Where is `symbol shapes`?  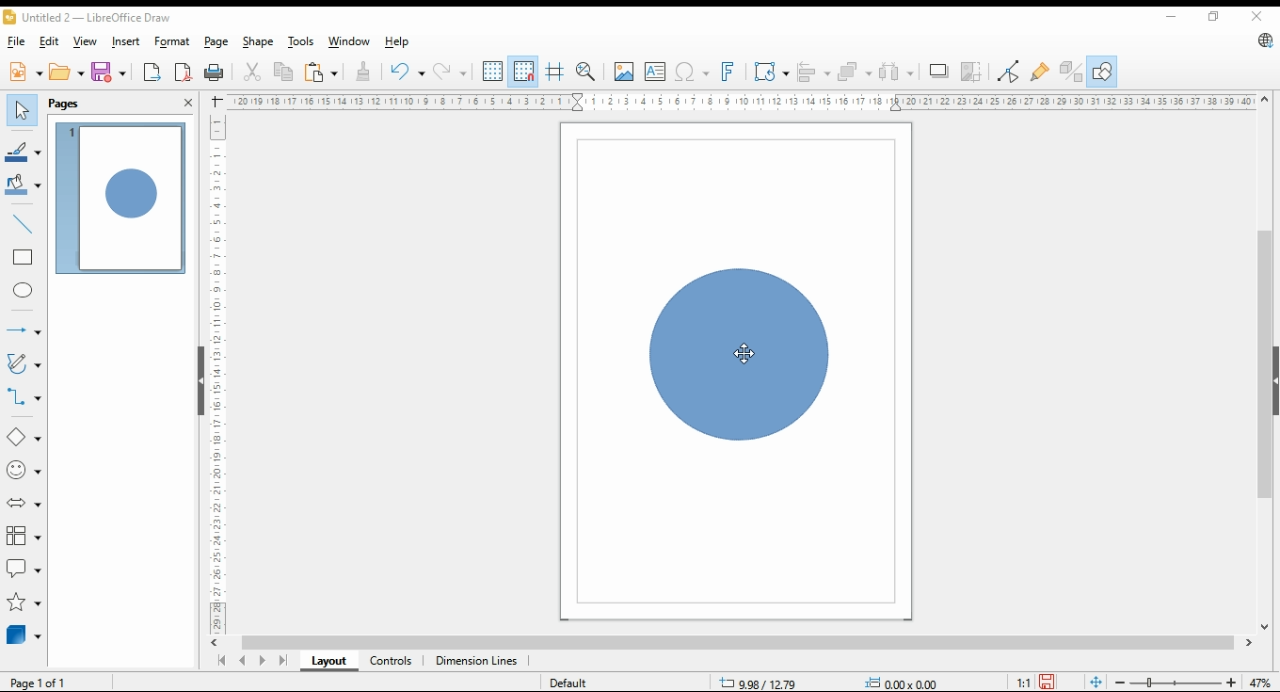 symbol shapes is located at coordinates (23, 469).